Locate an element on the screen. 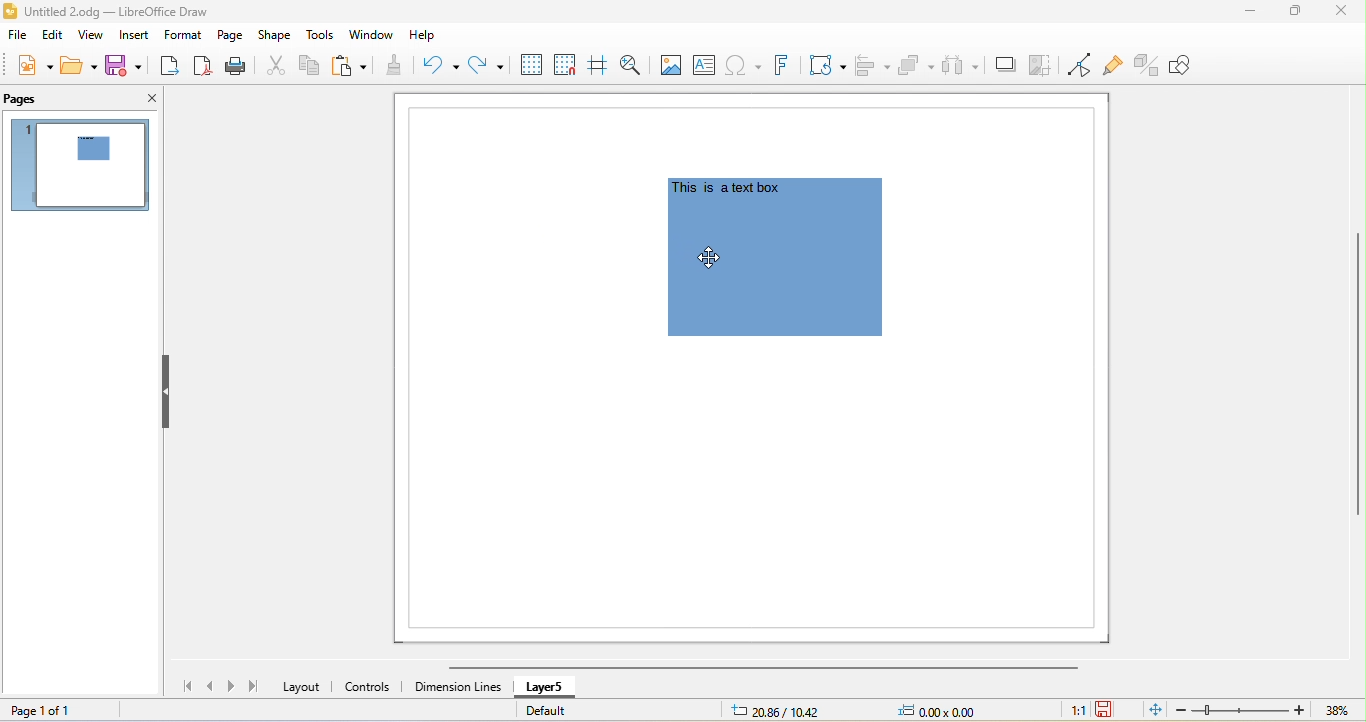 This screenshot has width=1366, height=722. minimize is located at coordinates (1257, 12).